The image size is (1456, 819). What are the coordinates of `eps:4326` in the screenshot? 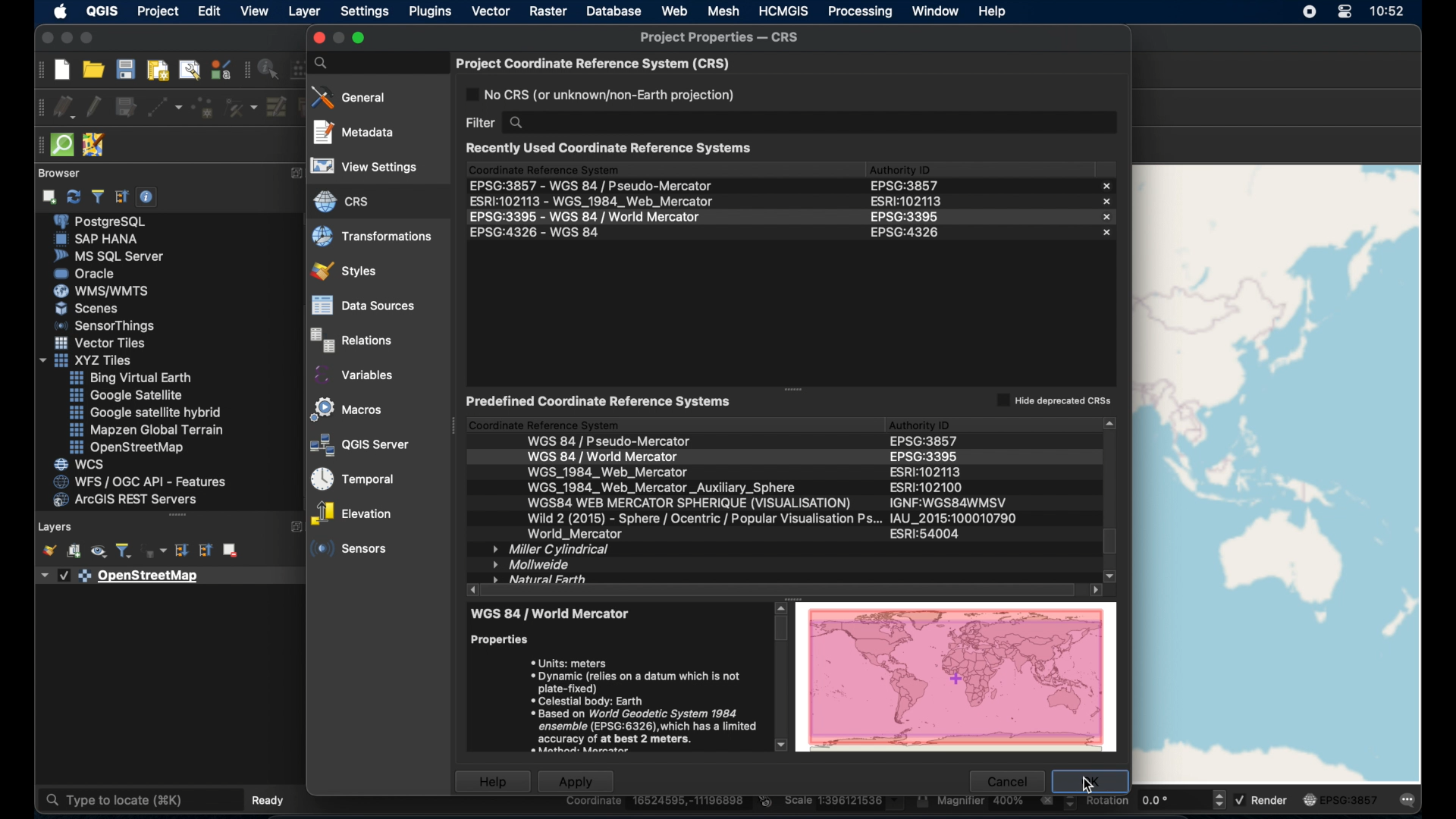 It's located at (908, 233).